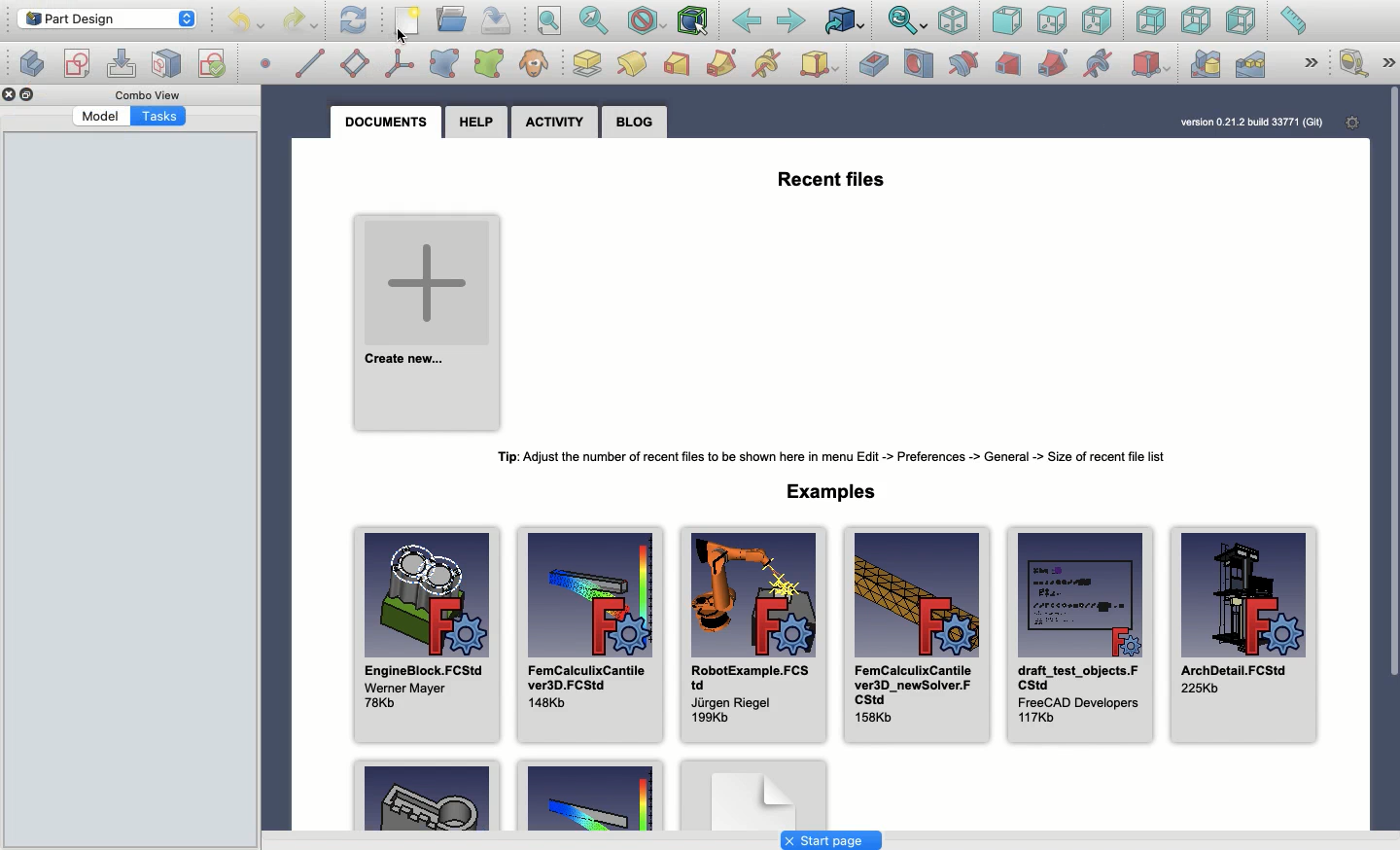  I want to click on Start page, so click(830, 841).